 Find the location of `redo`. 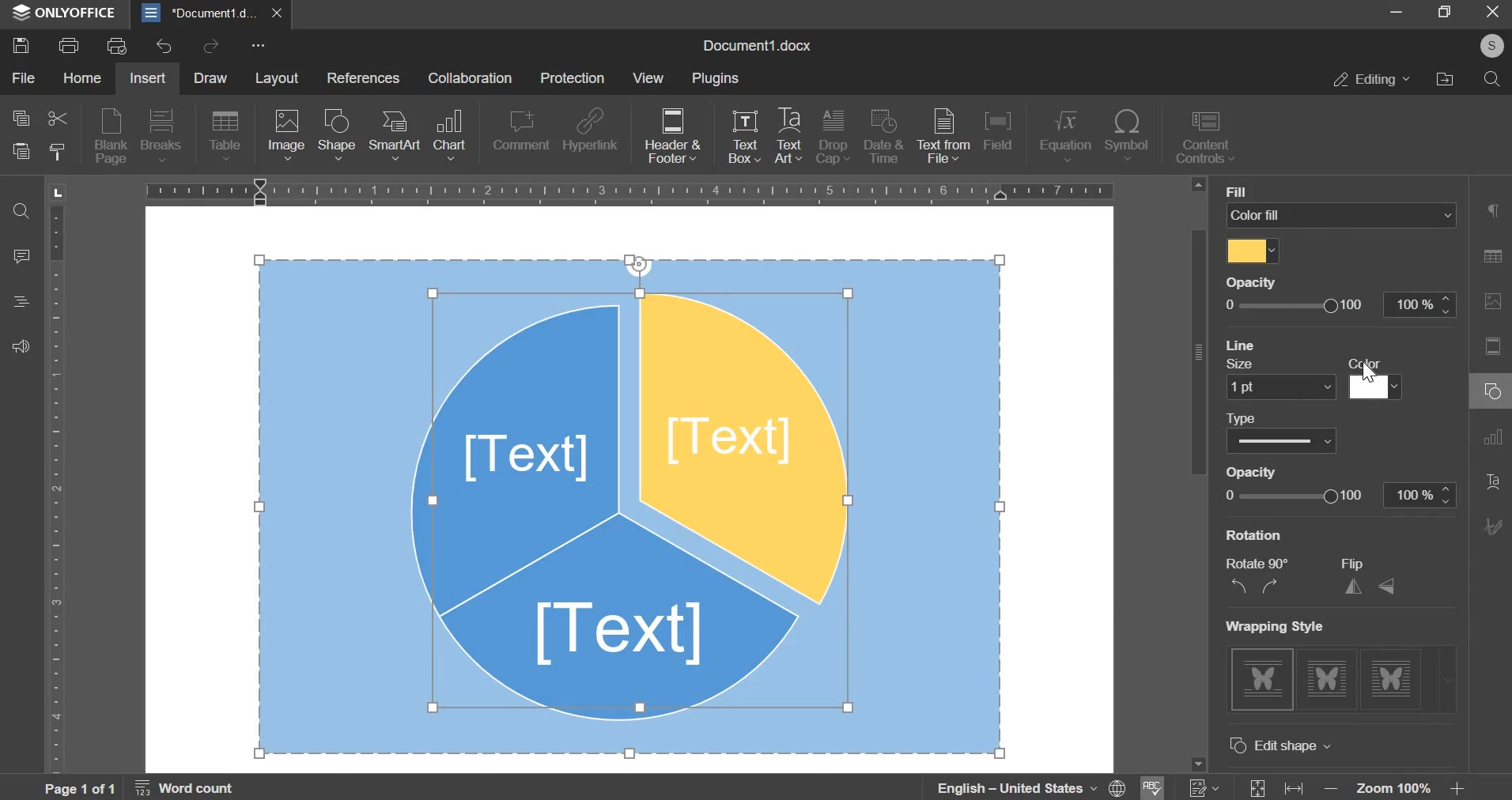

redo is located at coordinates (214, 46).